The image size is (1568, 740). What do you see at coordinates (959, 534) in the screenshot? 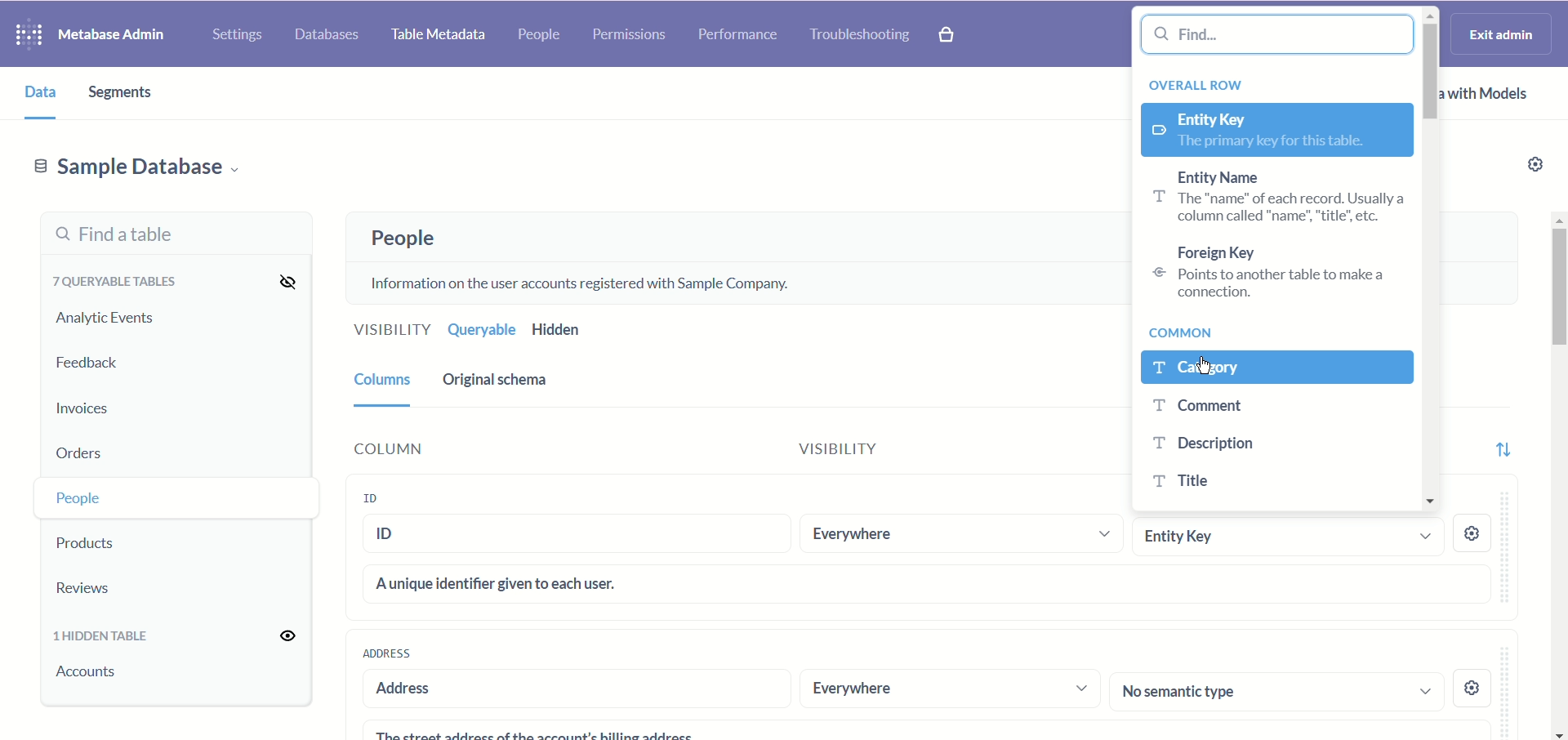
I see `Everywhere` at bounding box center [959, 534].